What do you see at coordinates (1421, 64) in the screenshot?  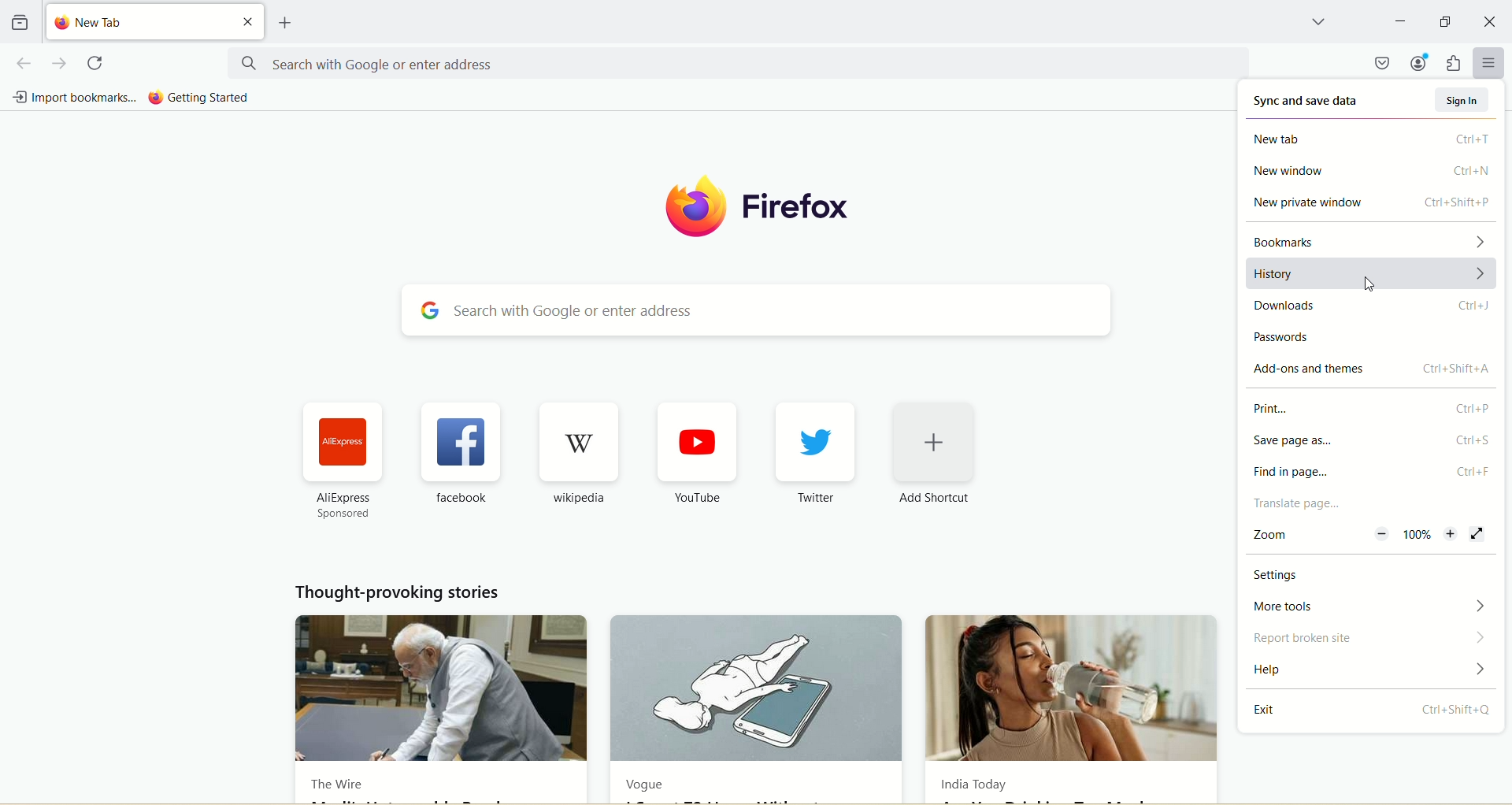 I see `account` at bounding box center [1421, 64].